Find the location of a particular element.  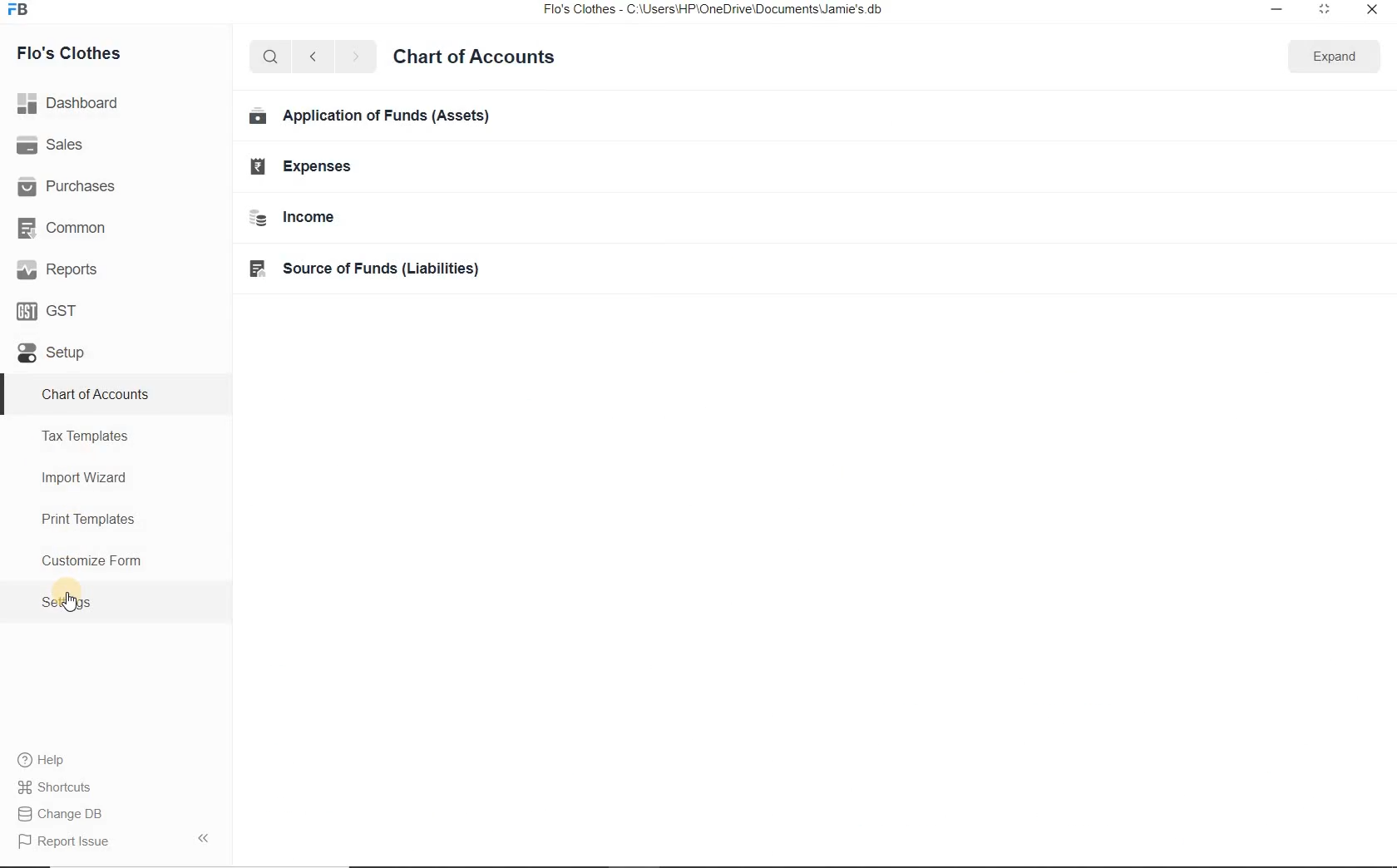

Logo is located at coordinates (20, 9).